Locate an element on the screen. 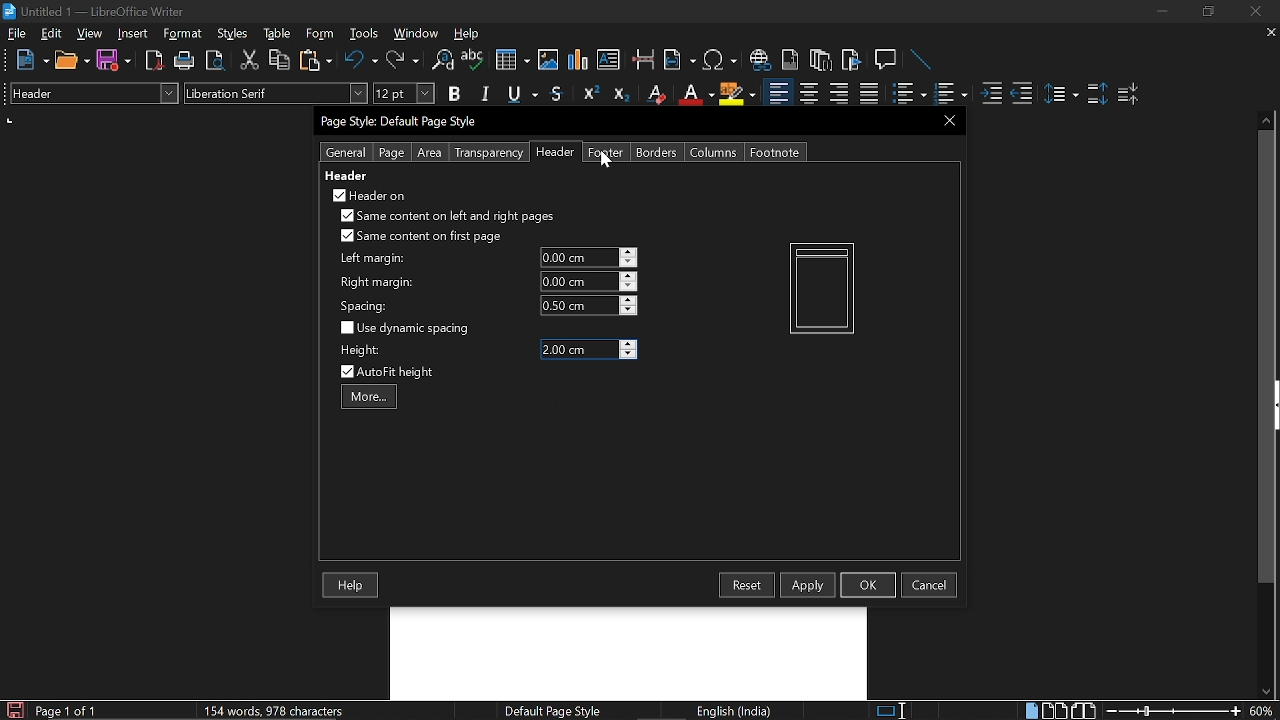  Justified is located at coordinates (870, 94).